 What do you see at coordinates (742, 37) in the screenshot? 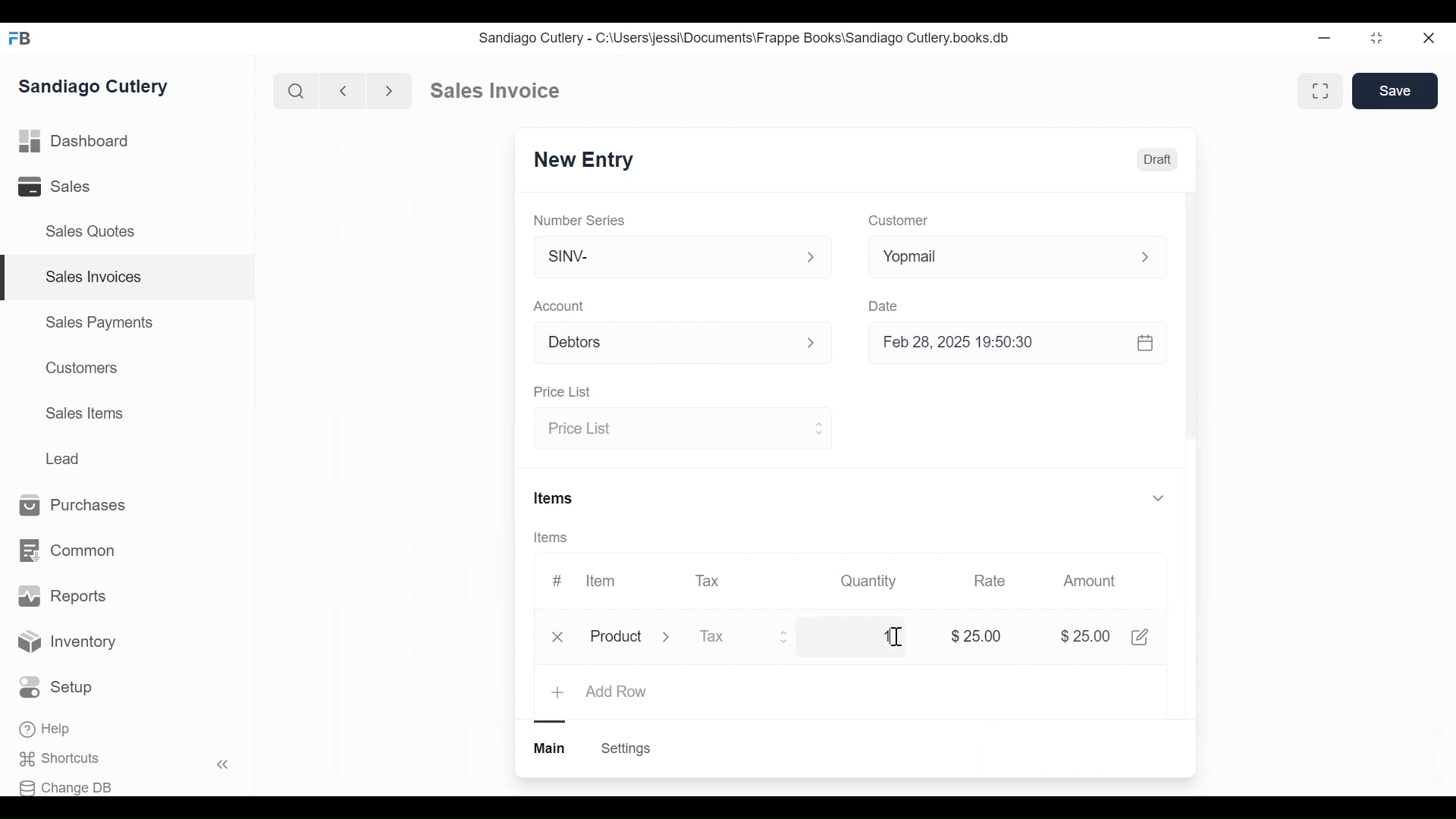
I see `Sandiago Cutlery - C:\Users\jessi\Documents\Frappe Books\Sandiago Cutlery.books.db` at bounding box center [742, 37].